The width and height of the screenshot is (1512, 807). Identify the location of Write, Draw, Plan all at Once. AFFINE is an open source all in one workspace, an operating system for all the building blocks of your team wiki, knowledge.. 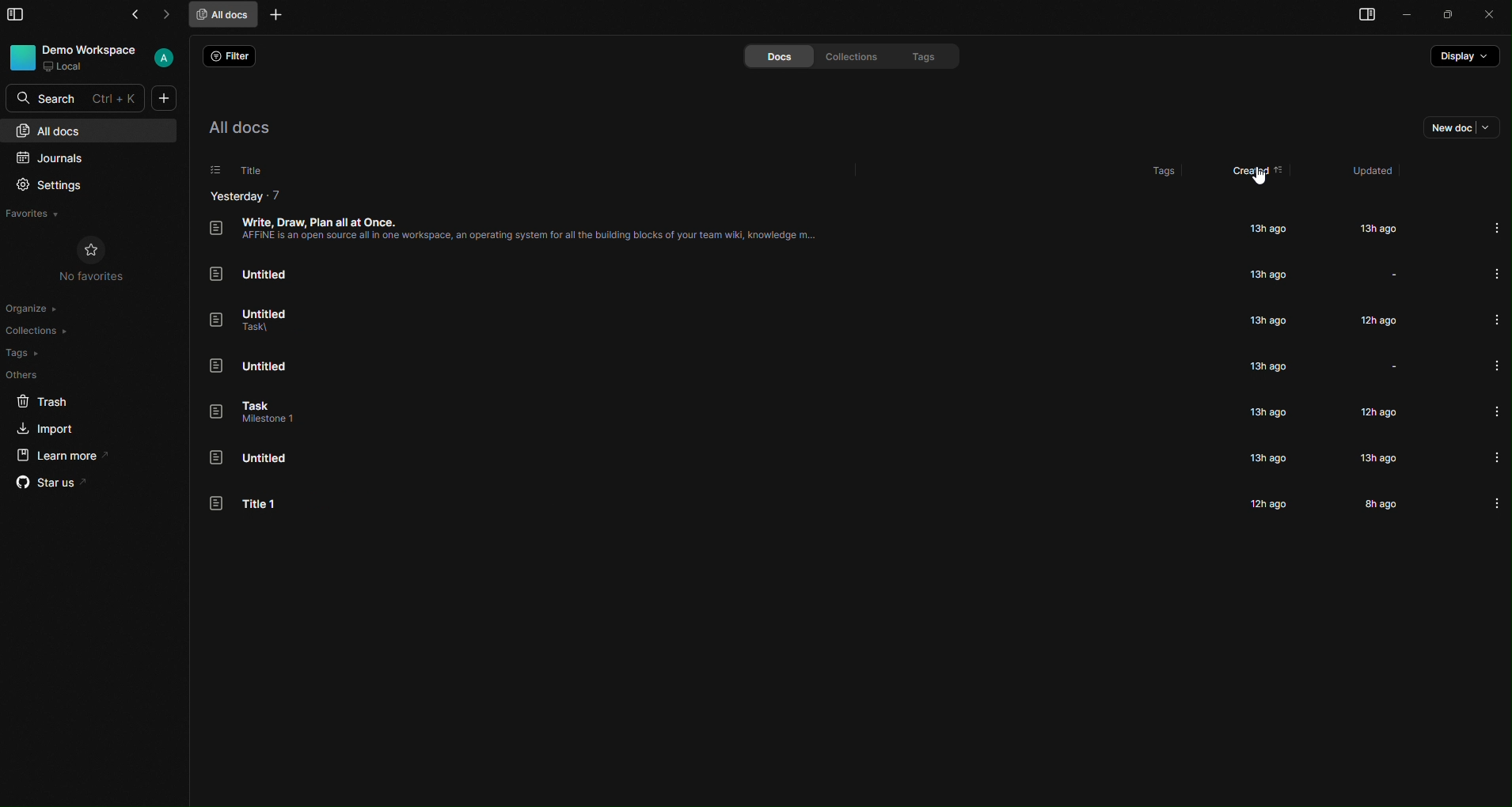
(525, 228).